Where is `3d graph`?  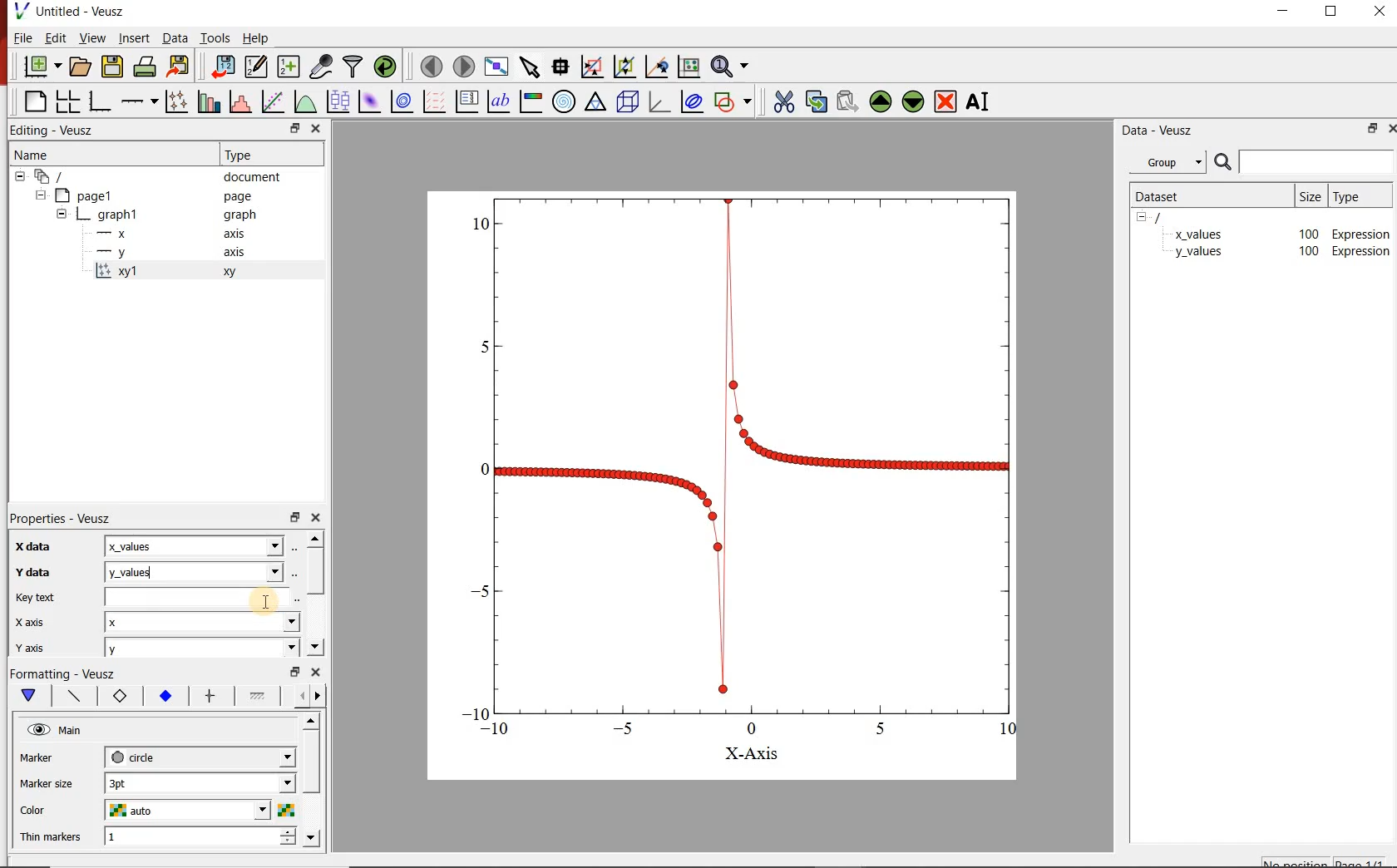
3d graph is located at coordinates (660, 104).